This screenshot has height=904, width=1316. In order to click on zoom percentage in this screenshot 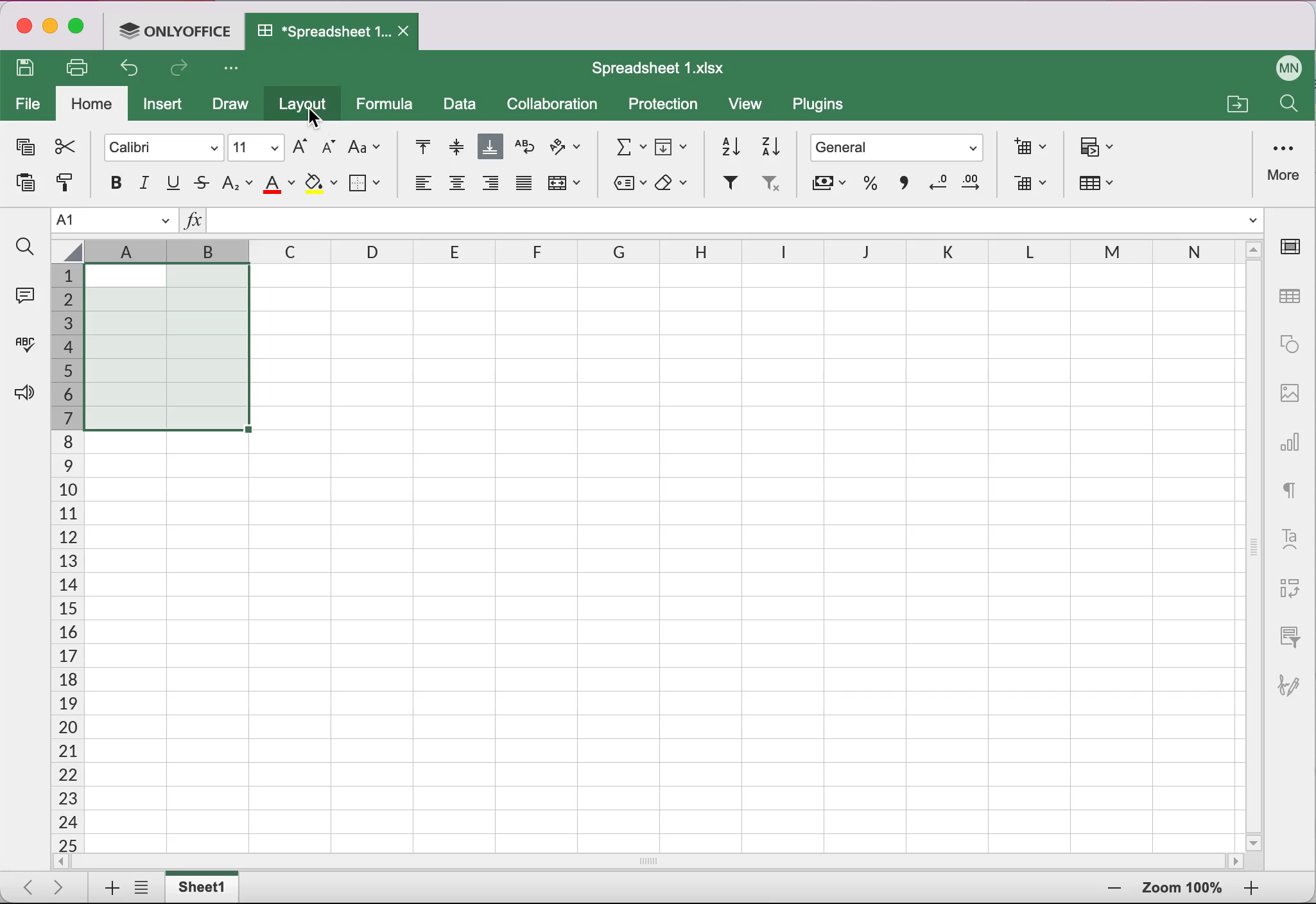, I will do `click(1182, 890)`.